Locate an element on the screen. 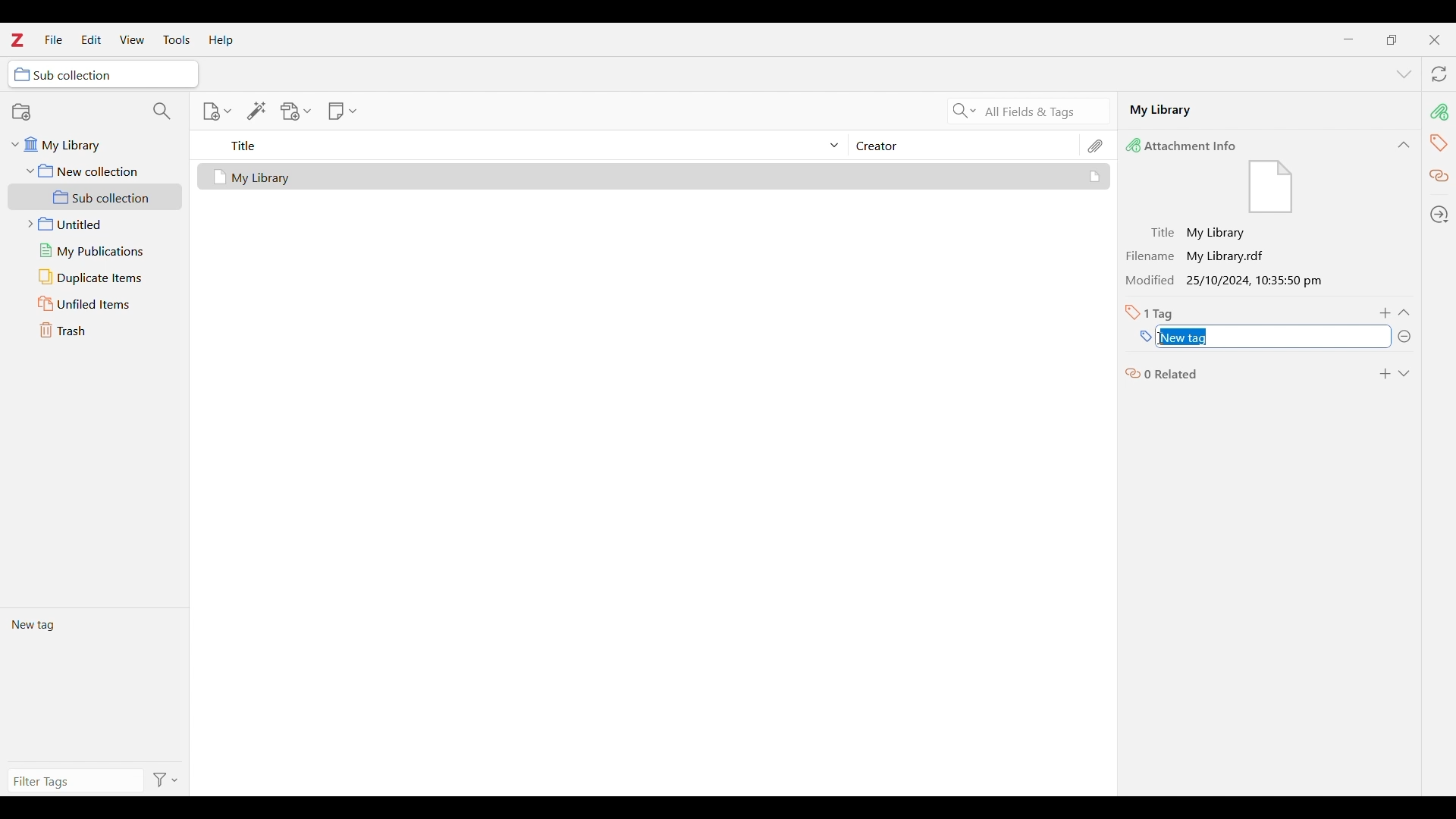  tag is located at coordinates (1439, 142).